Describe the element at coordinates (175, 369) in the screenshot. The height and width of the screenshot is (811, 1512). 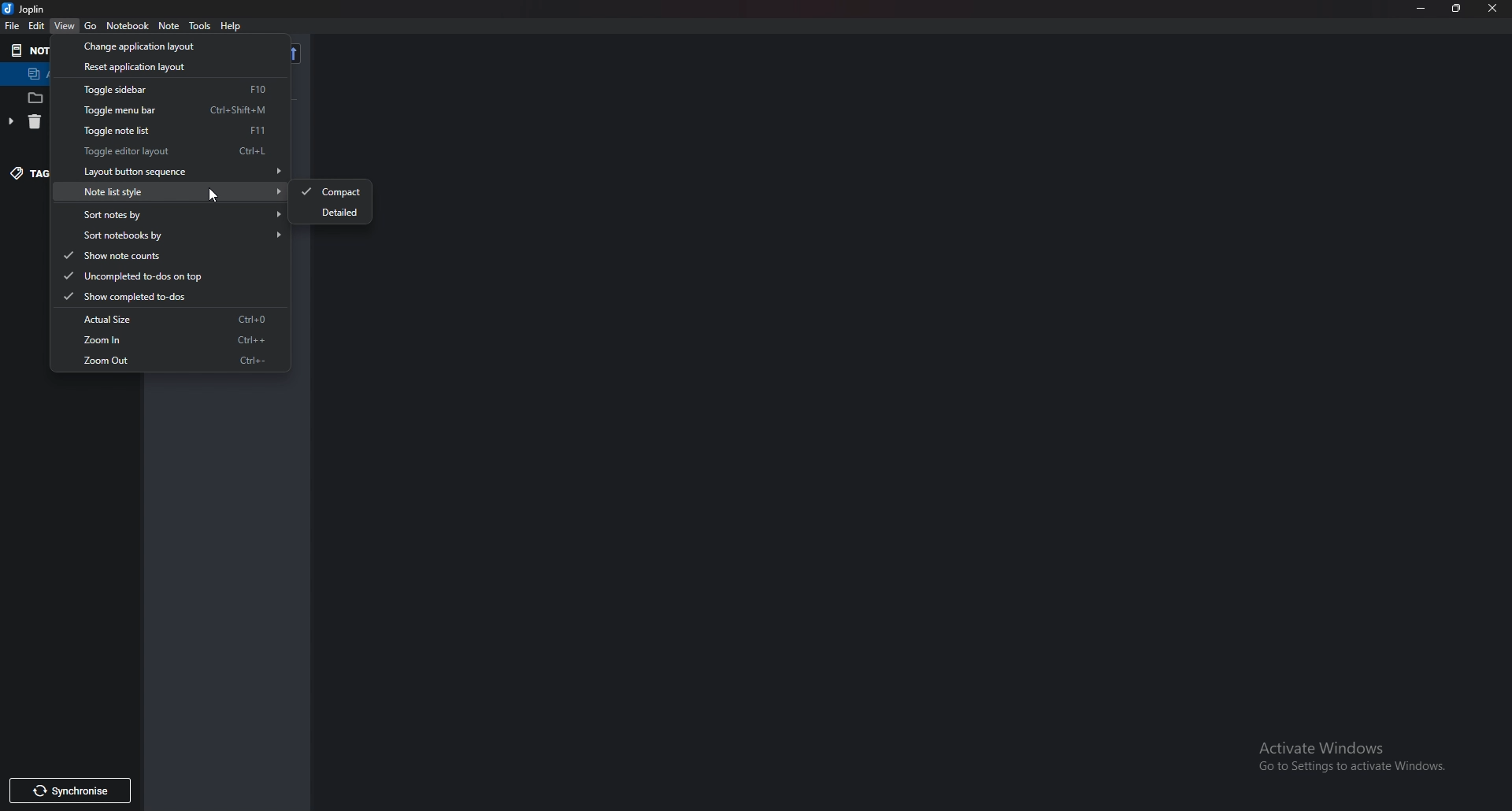
I see `zoom out ctrl_` at that location.